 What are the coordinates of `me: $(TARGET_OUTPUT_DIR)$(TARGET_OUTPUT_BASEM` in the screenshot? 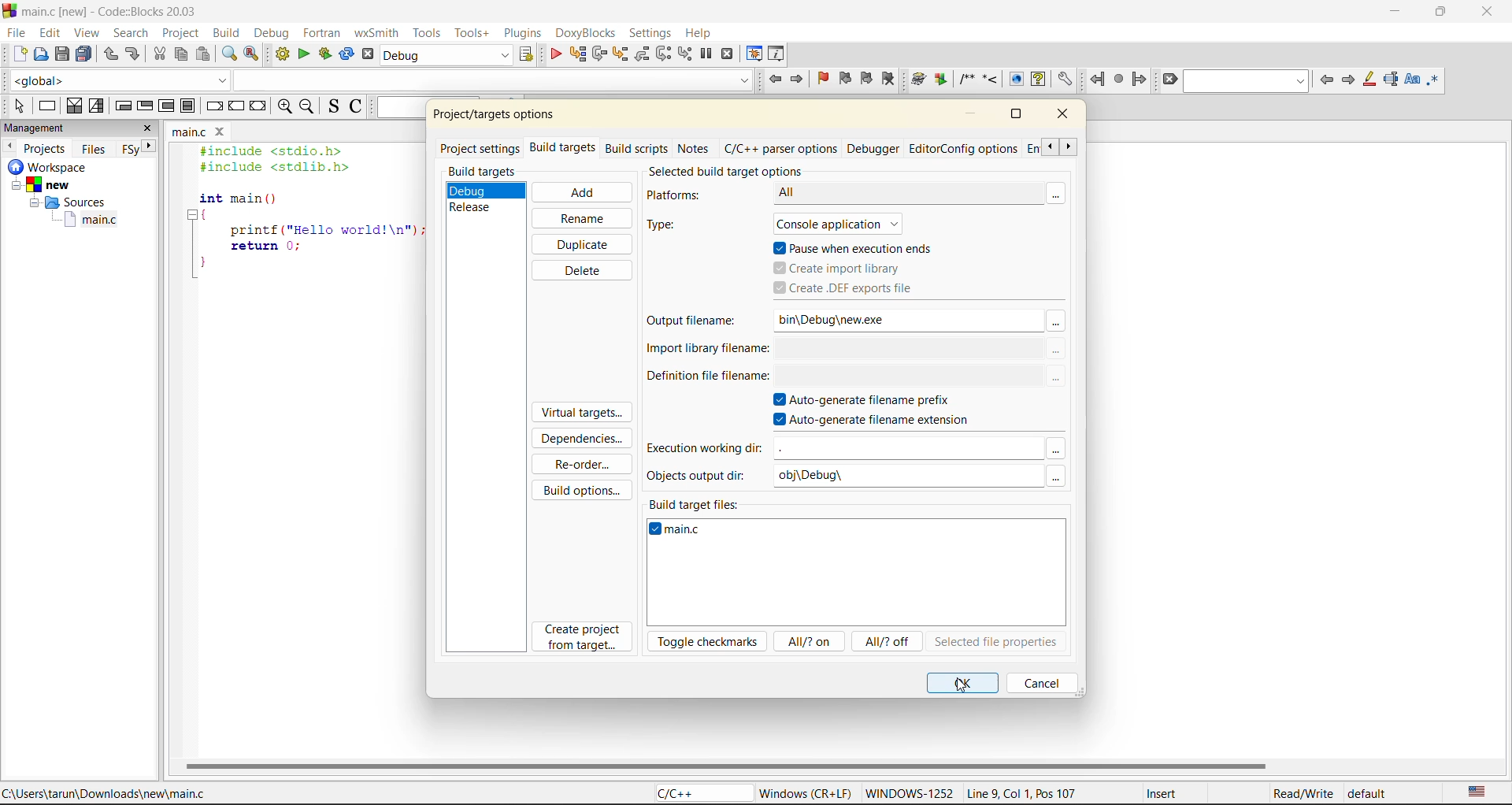 It's located at (909, 349).